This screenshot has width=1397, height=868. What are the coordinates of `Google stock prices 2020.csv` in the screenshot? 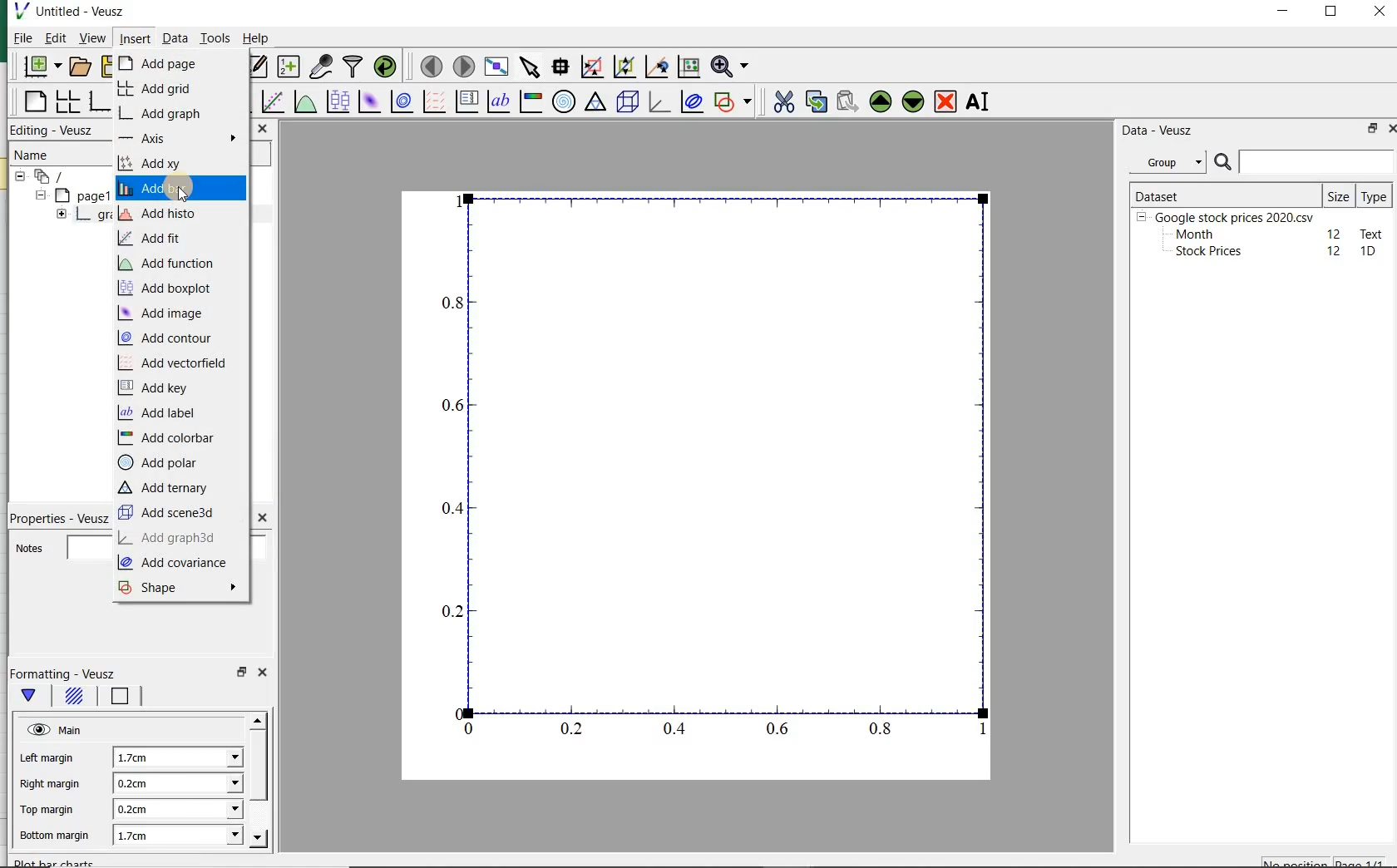 It's located at (1228, 216).